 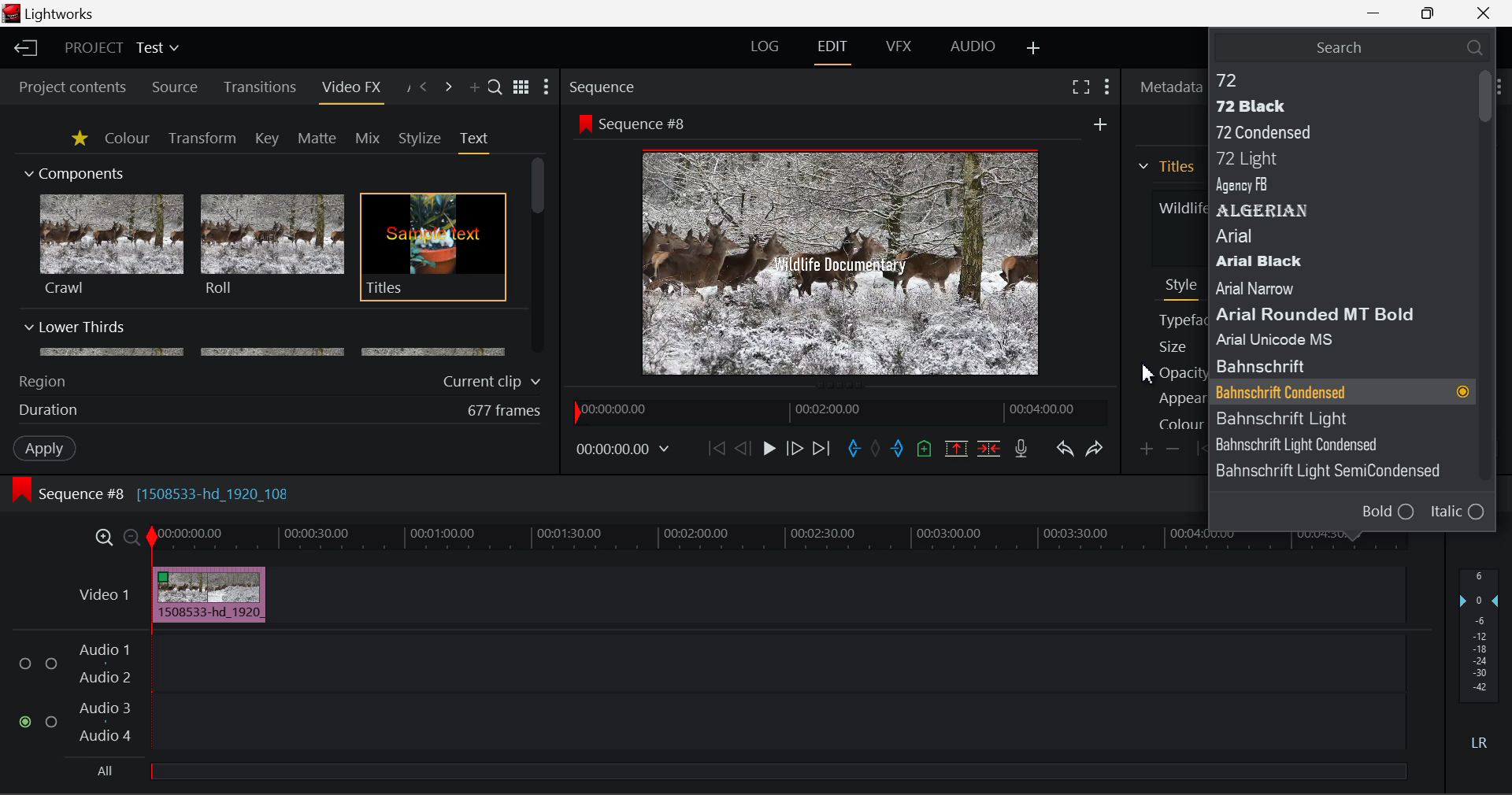 What do you see at coordinates (1480, 663) in the screenshot?
I see `Decibel Level` at bounding box center [1480, 663].